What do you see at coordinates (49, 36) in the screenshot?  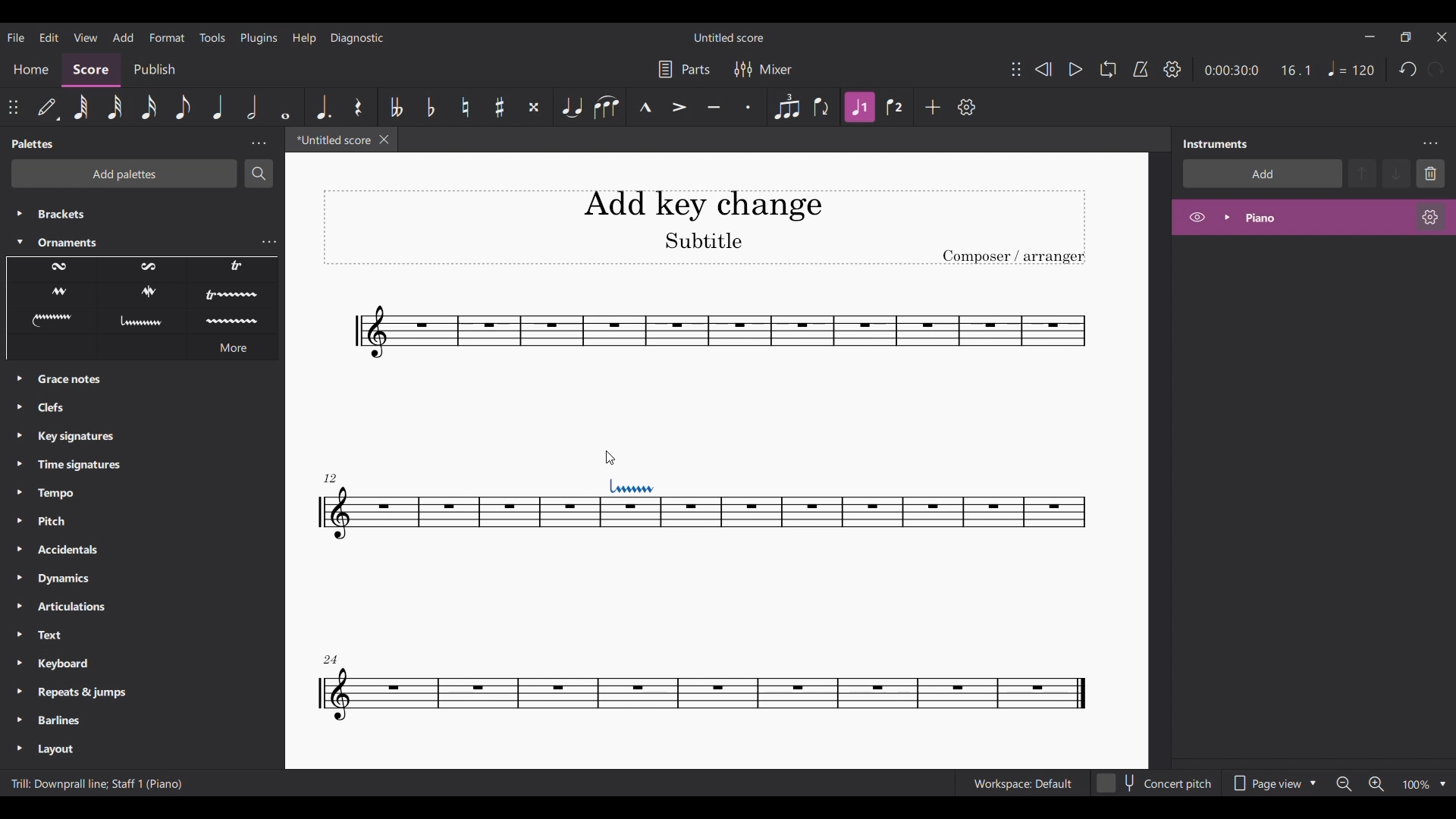 I see `Edit menu` at bounding box center [49, 36].